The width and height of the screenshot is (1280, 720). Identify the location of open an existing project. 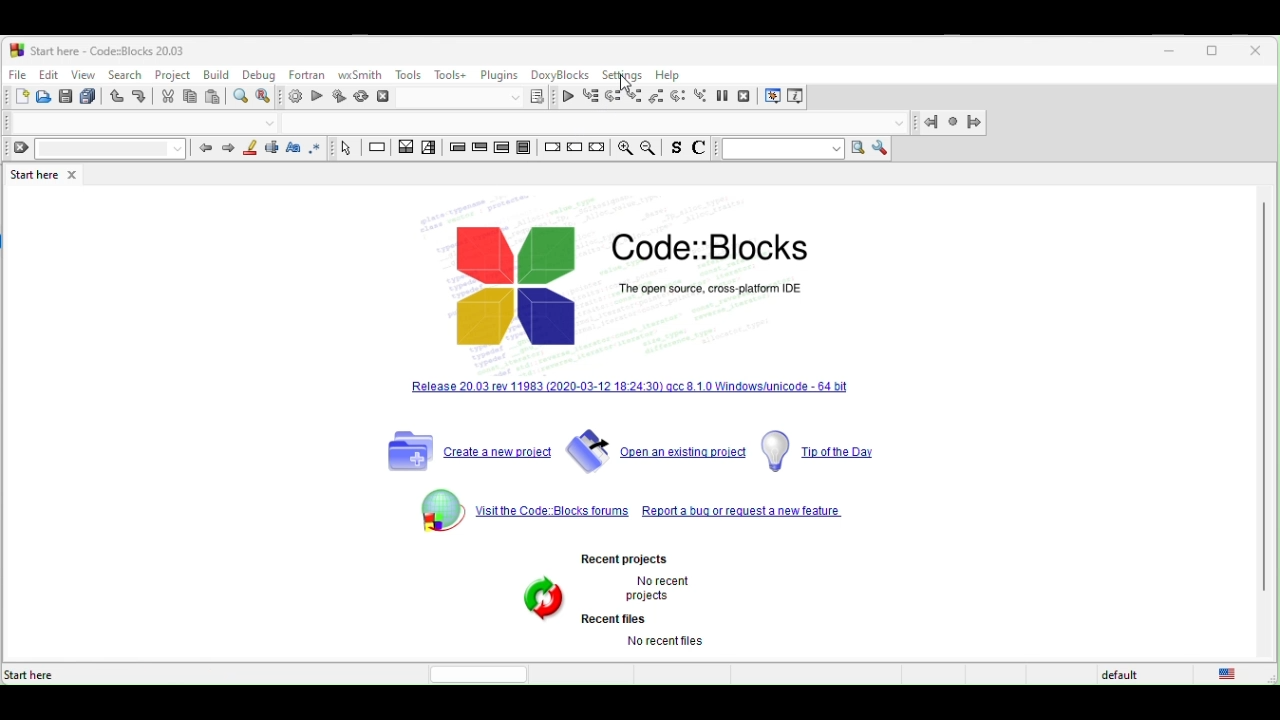
(659, 452).